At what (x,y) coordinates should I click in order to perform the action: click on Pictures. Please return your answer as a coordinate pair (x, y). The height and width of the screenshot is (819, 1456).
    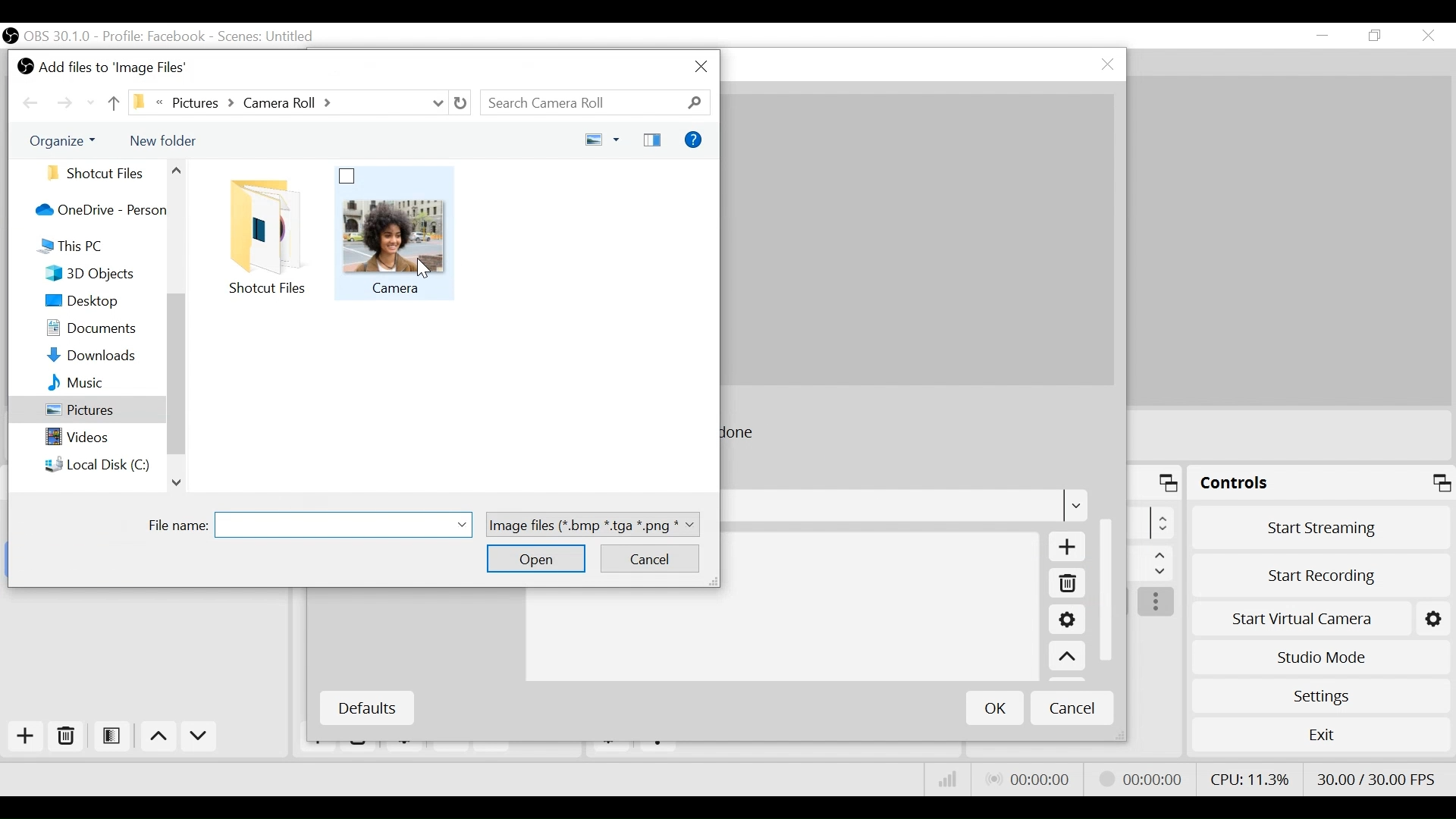
    Looking at the image, I should click on (84, 413).